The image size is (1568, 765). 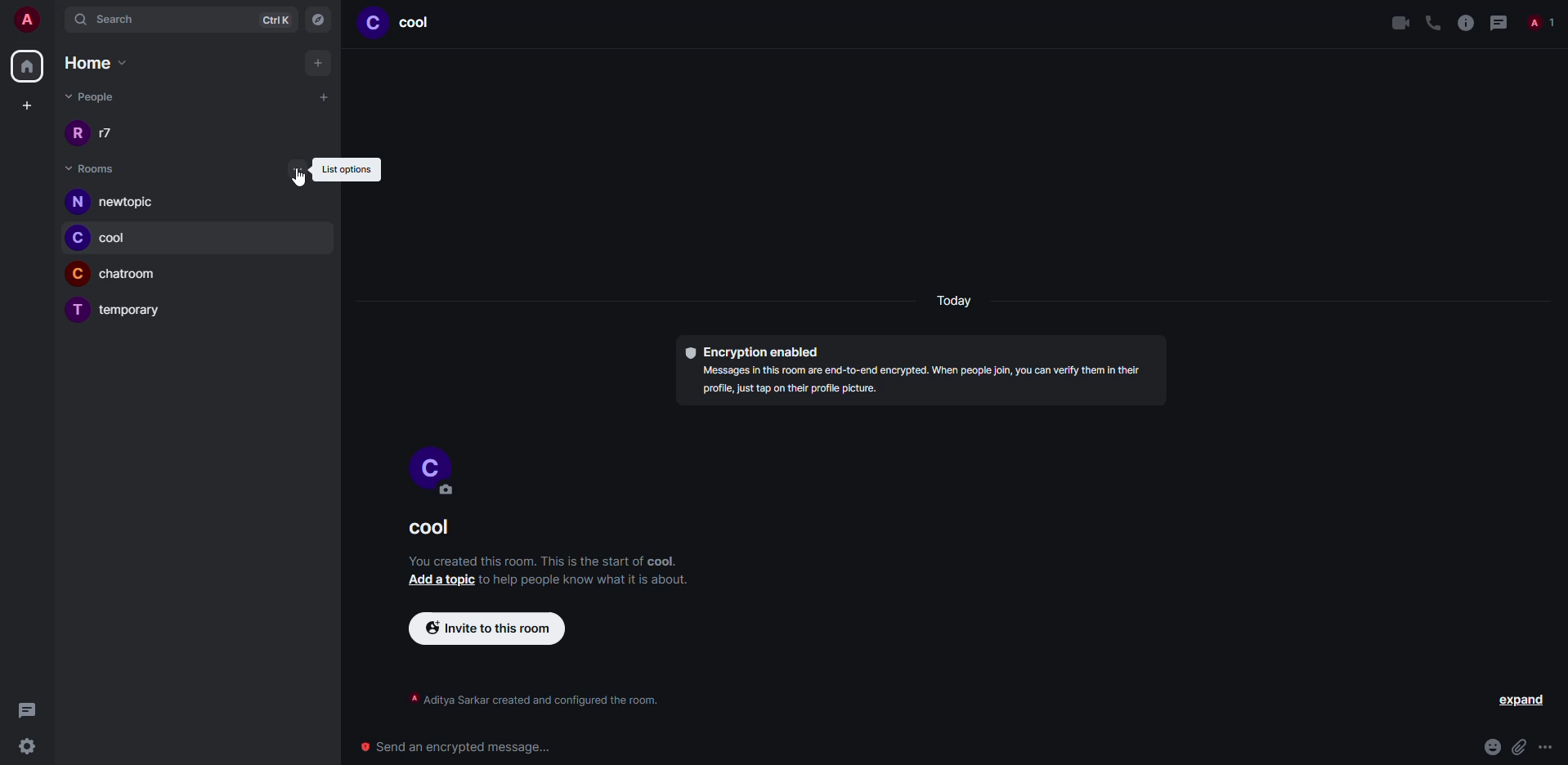 I want to click on info, so click(x=1463, y=22).